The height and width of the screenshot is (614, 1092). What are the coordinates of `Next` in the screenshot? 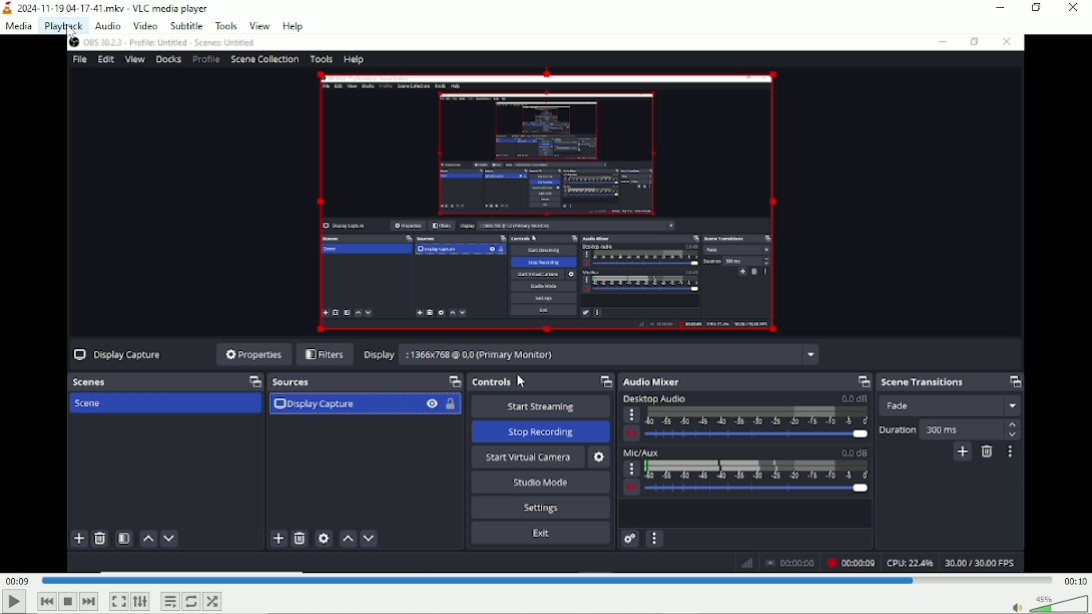 It's located at (88, 602).